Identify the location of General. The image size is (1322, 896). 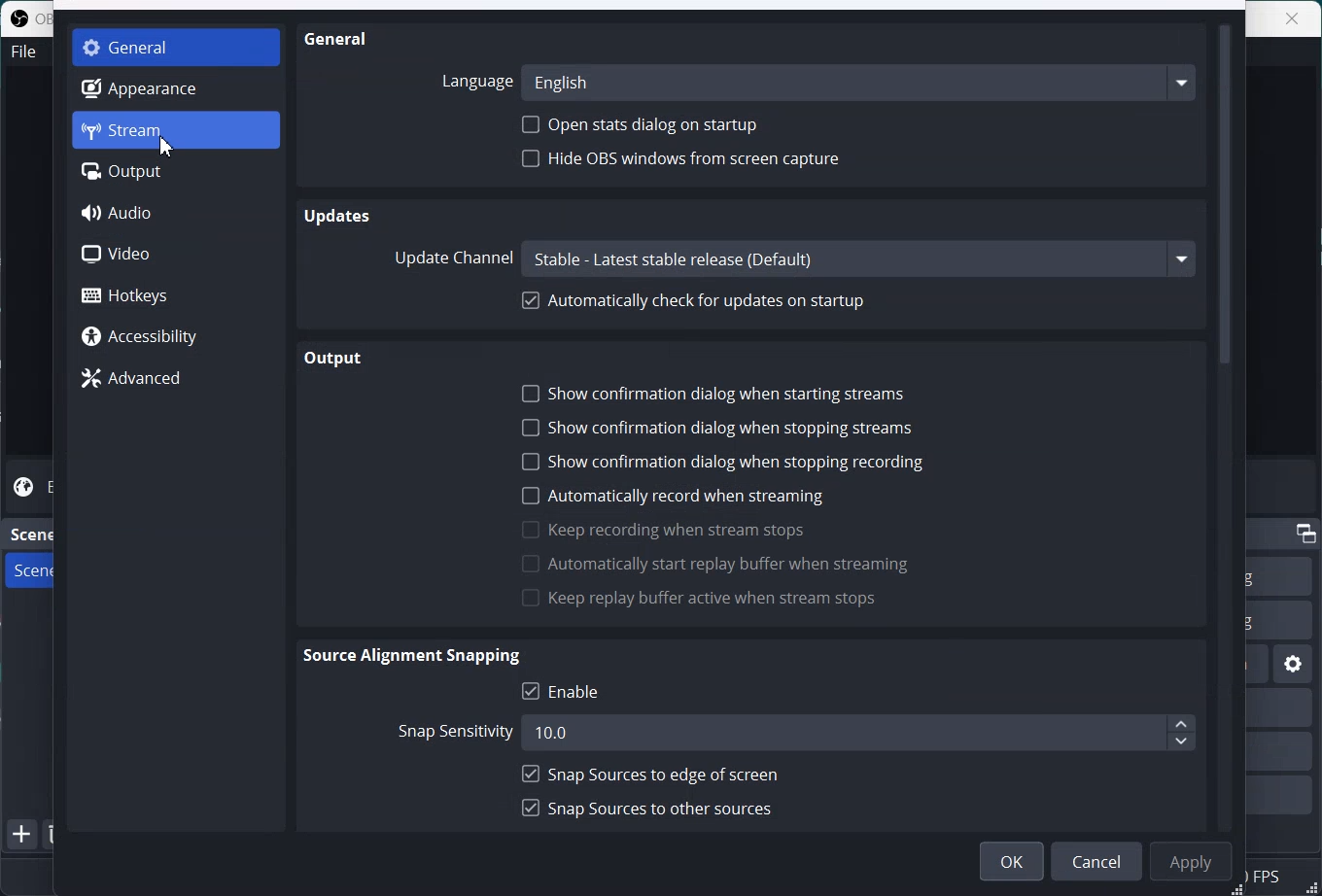
(175, 46).